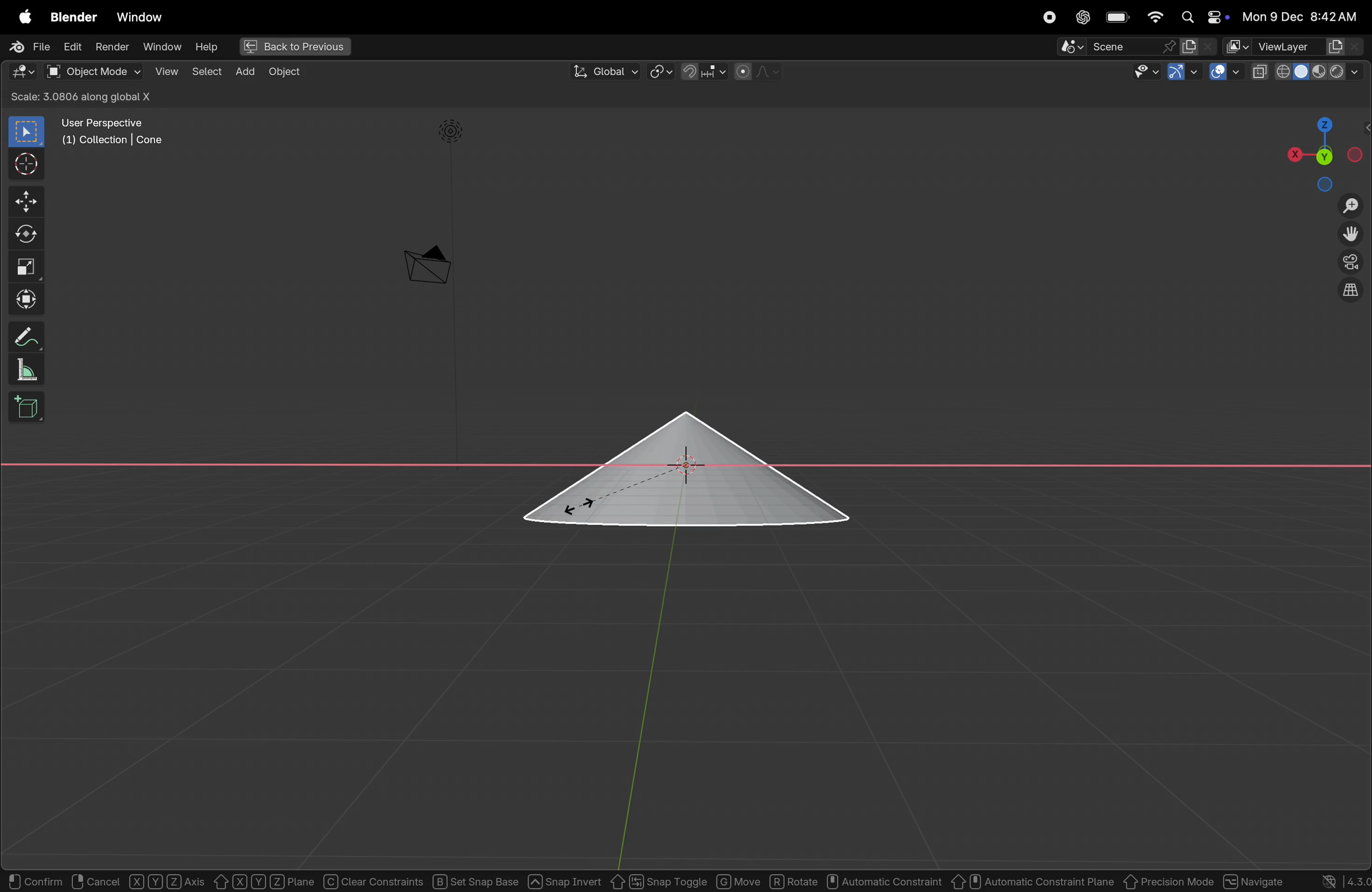 Image resolution: width=1372 pixels, height=892 pixels. Describe the element at coordinates (427, 265) in the screenshot. I see `camera perspetive` at that location.